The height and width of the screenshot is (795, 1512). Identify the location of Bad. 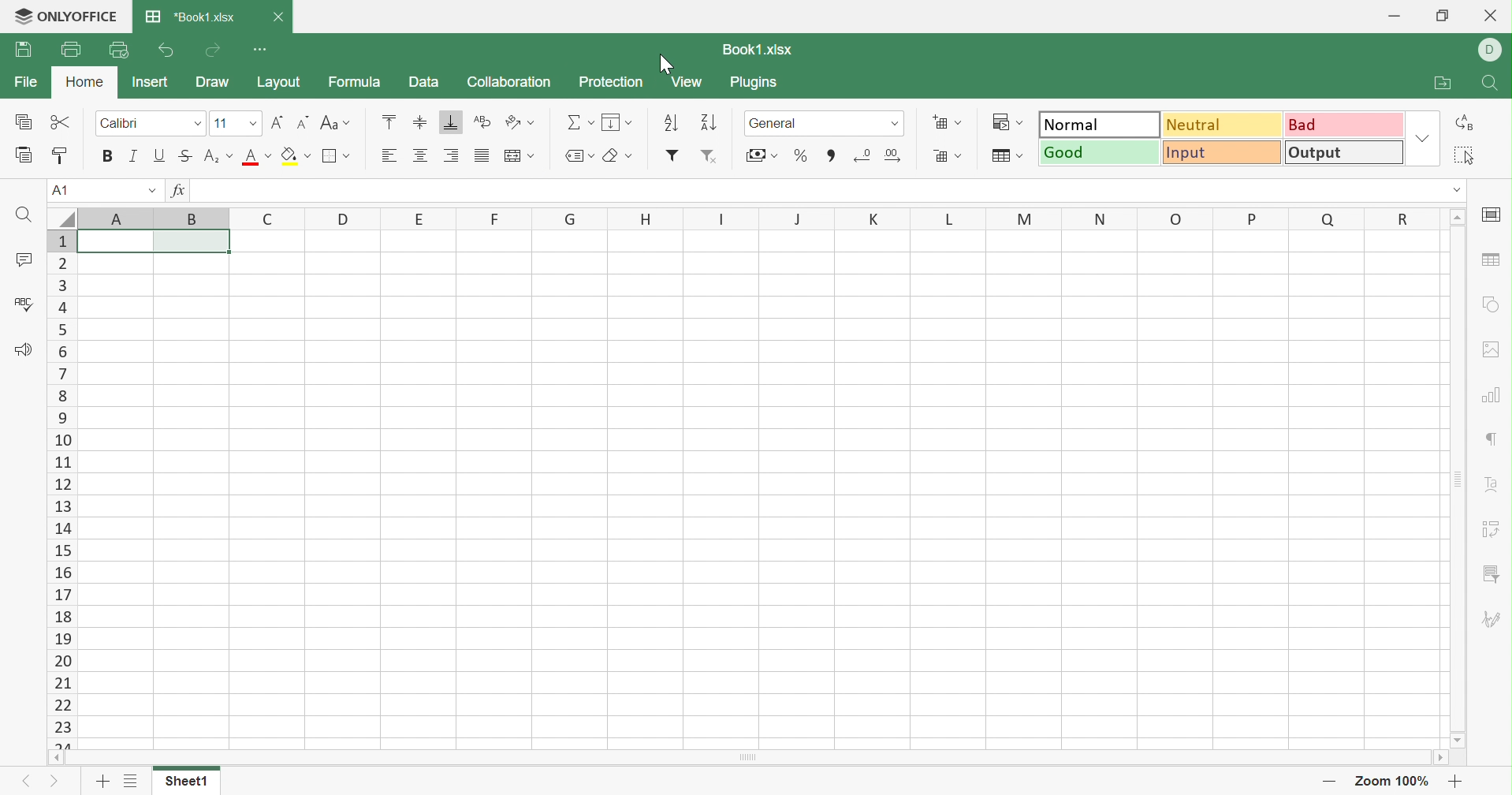
(1344, 123).